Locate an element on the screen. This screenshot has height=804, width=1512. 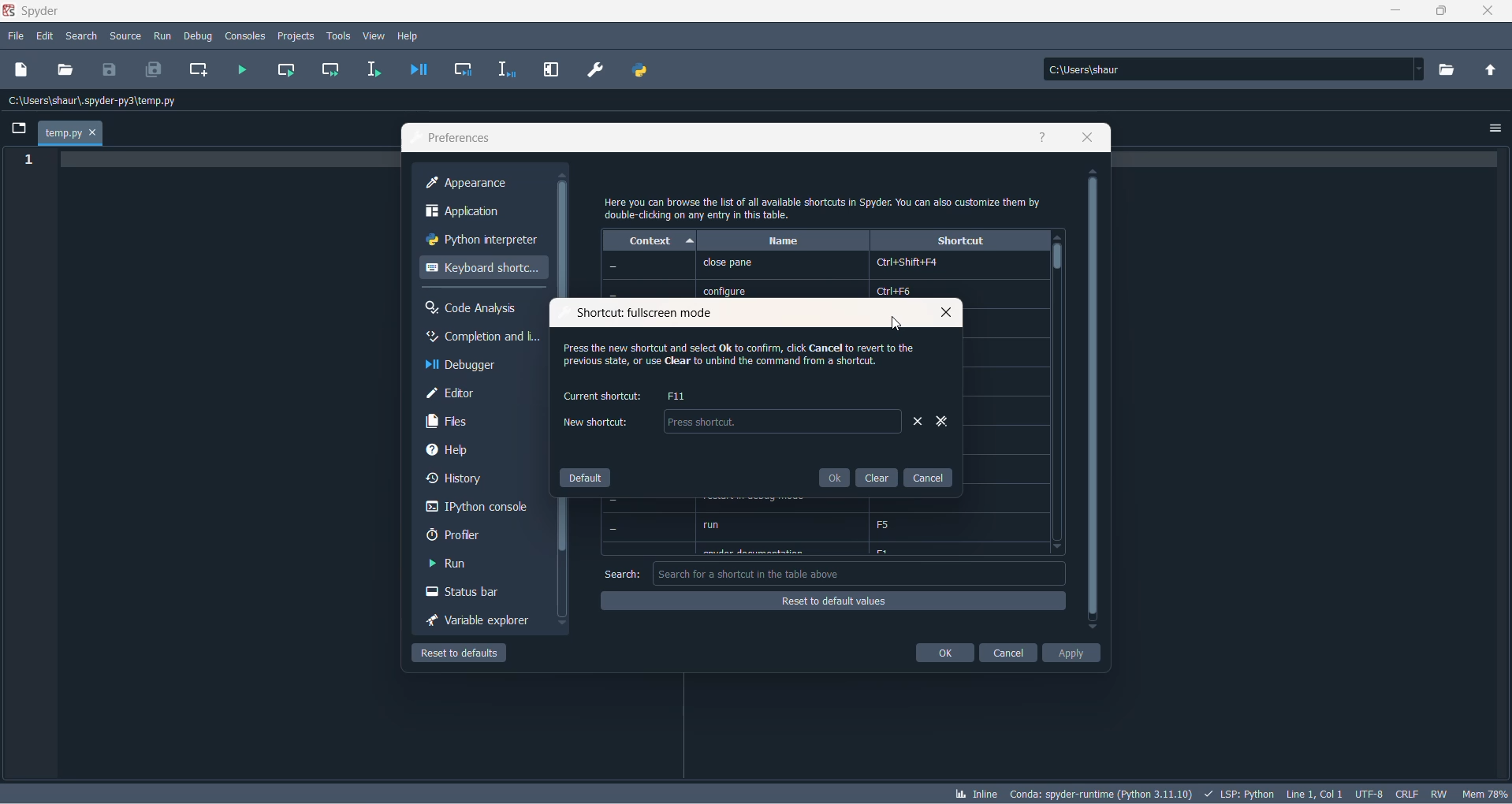
save all is located at coordinates (151, 71).